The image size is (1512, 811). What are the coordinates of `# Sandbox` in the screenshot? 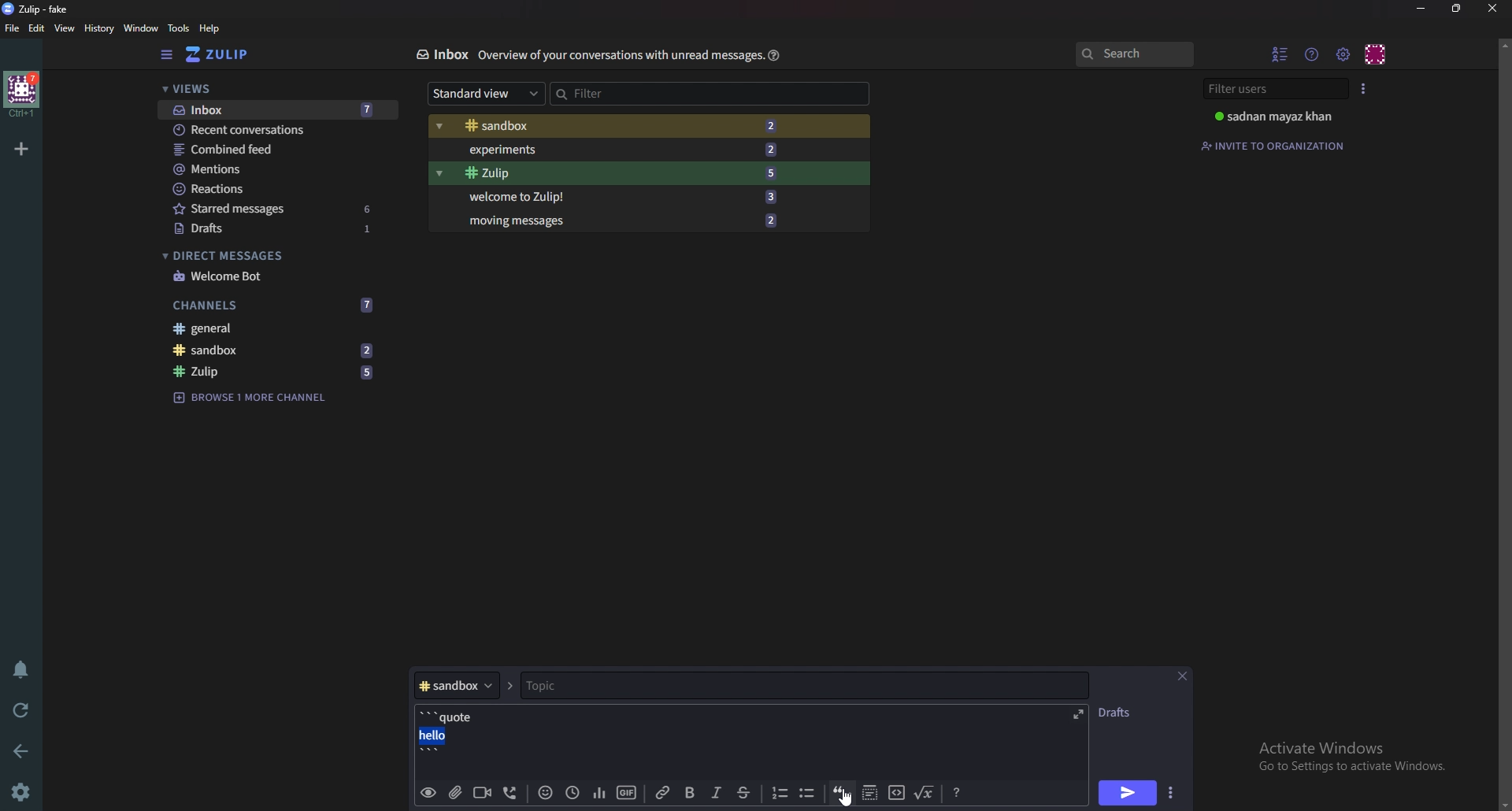 It's located at (231, 351).